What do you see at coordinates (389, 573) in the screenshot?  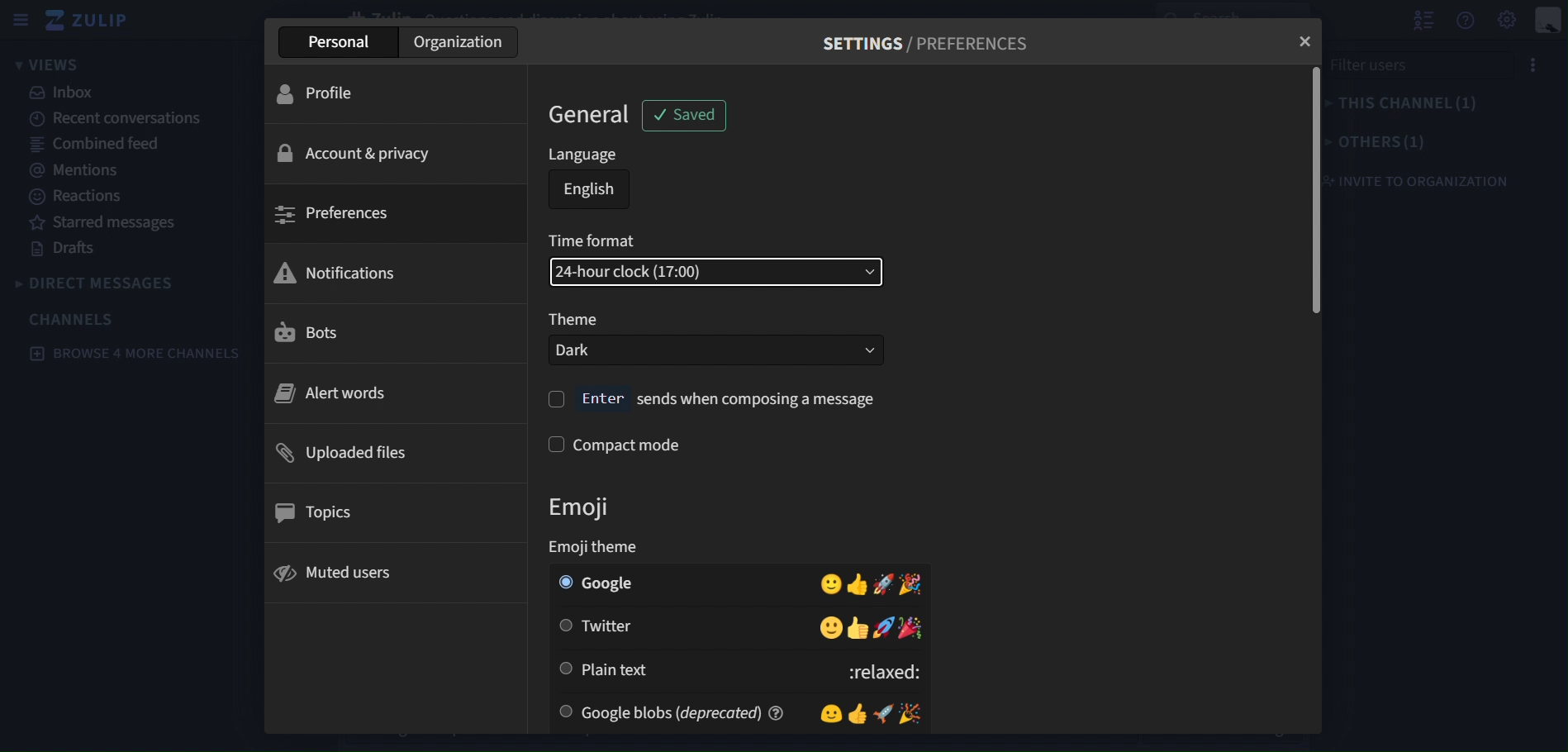 I see `muted users` at bounding box center [389, 573].